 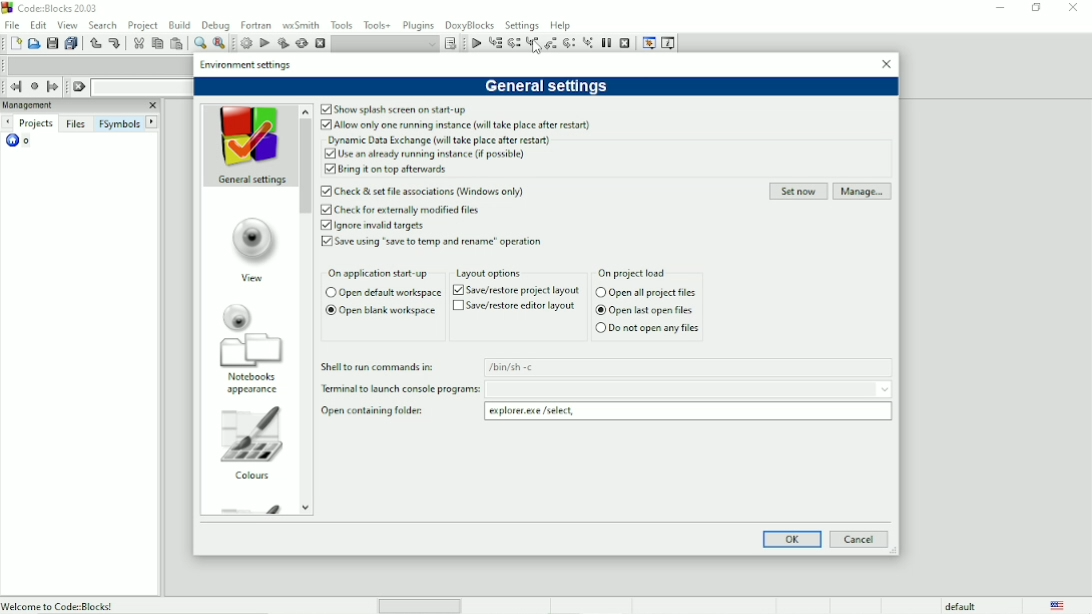 I want to click on Save, so click(x=51, y=43).